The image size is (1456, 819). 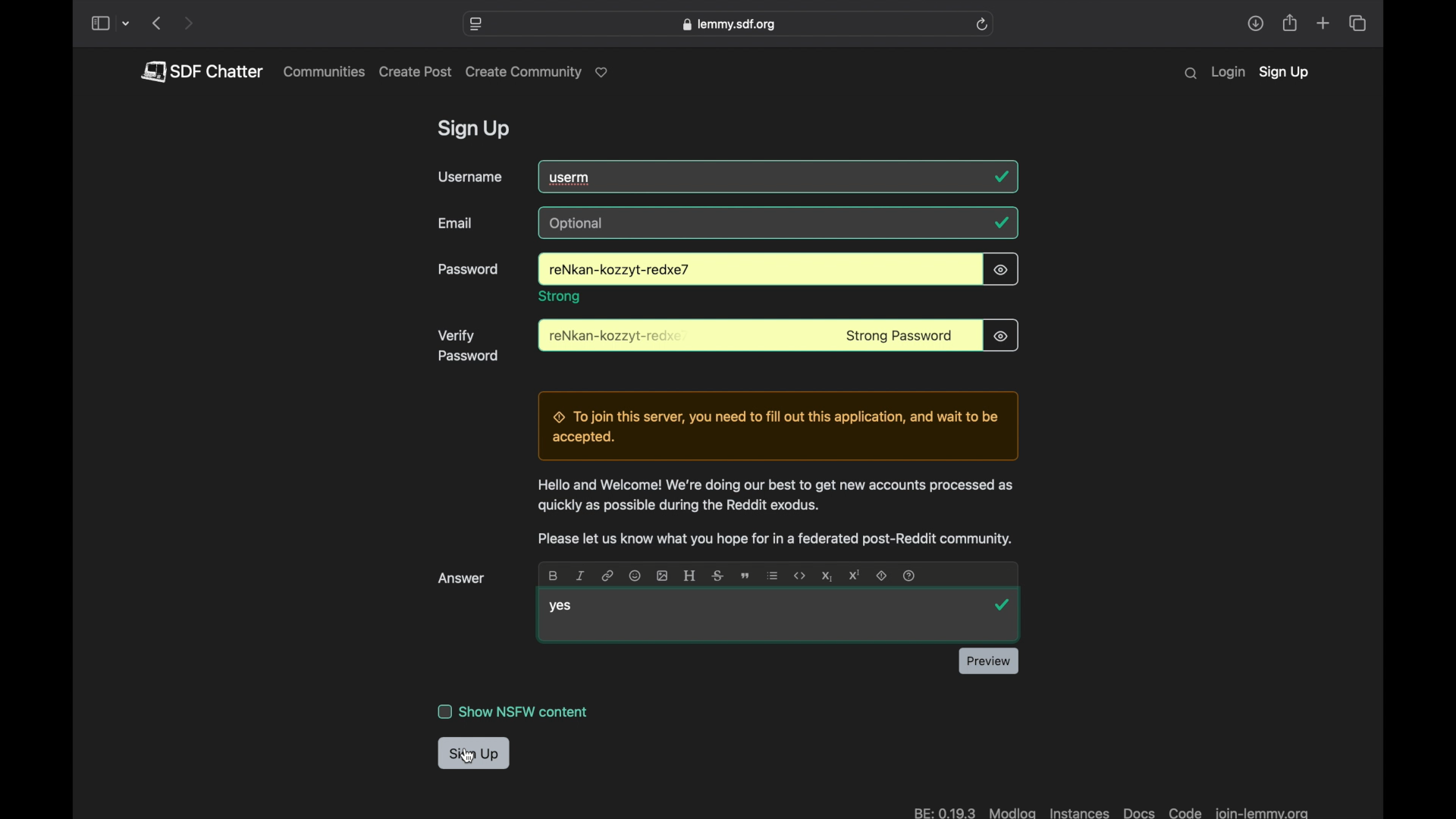 I want to click on strong password, so click(x=899, y=337).